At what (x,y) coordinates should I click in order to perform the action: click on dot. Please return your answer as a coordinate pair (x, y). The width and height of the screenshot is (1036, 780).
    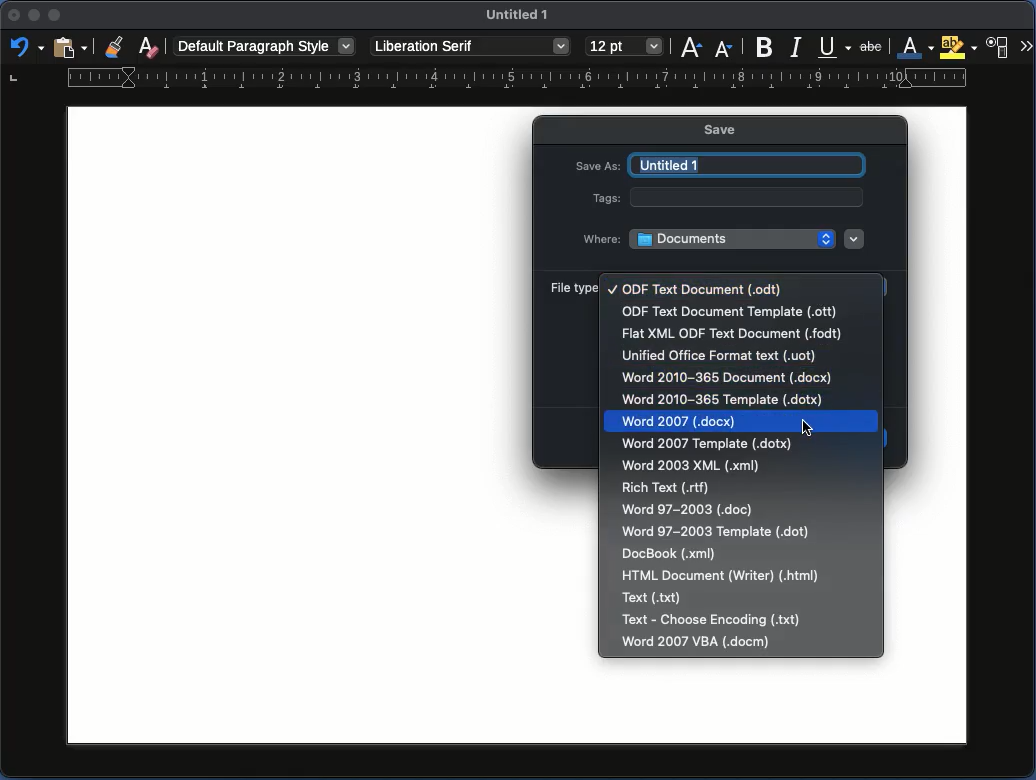
    Looking at the image, I should click on (716, 530).